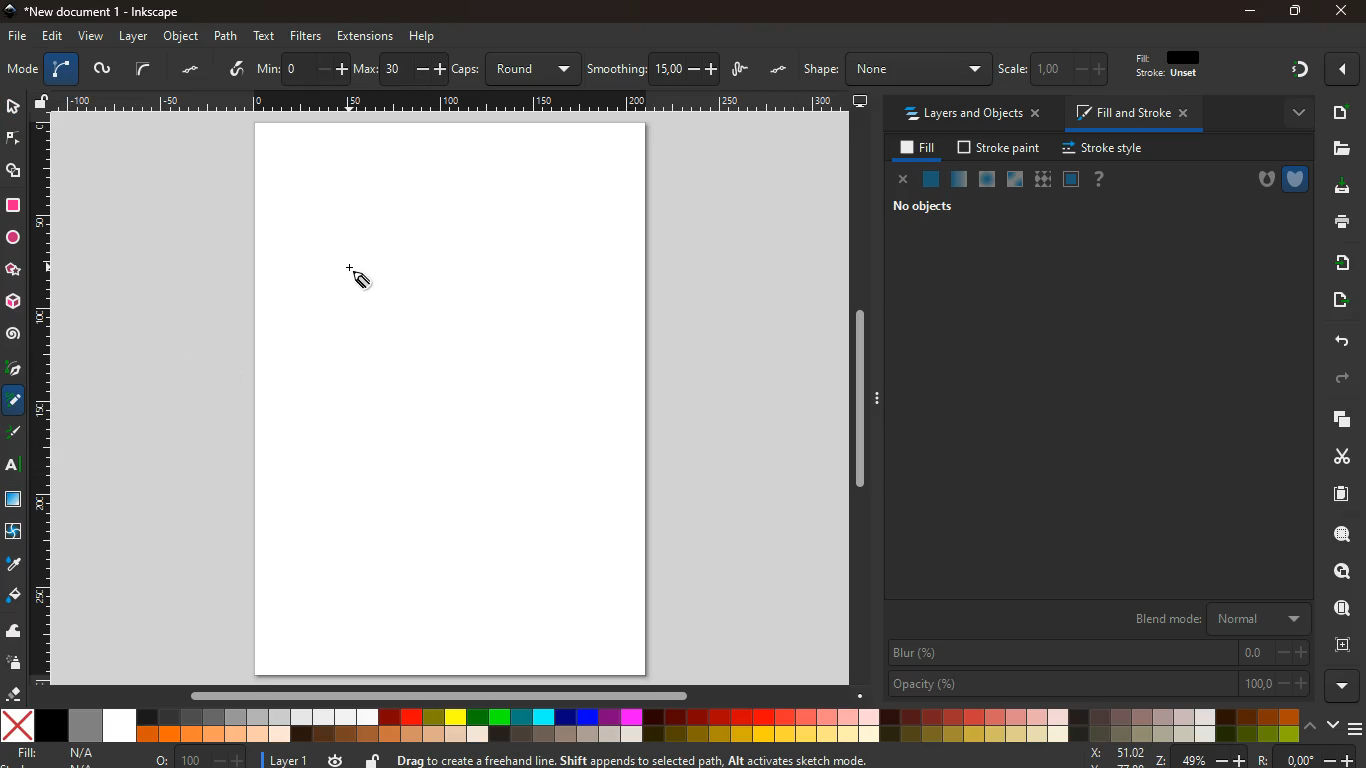  What do you see at coordinates (15, 532) in the screenshot?
I see `twist` at bounding box center [15, 532].